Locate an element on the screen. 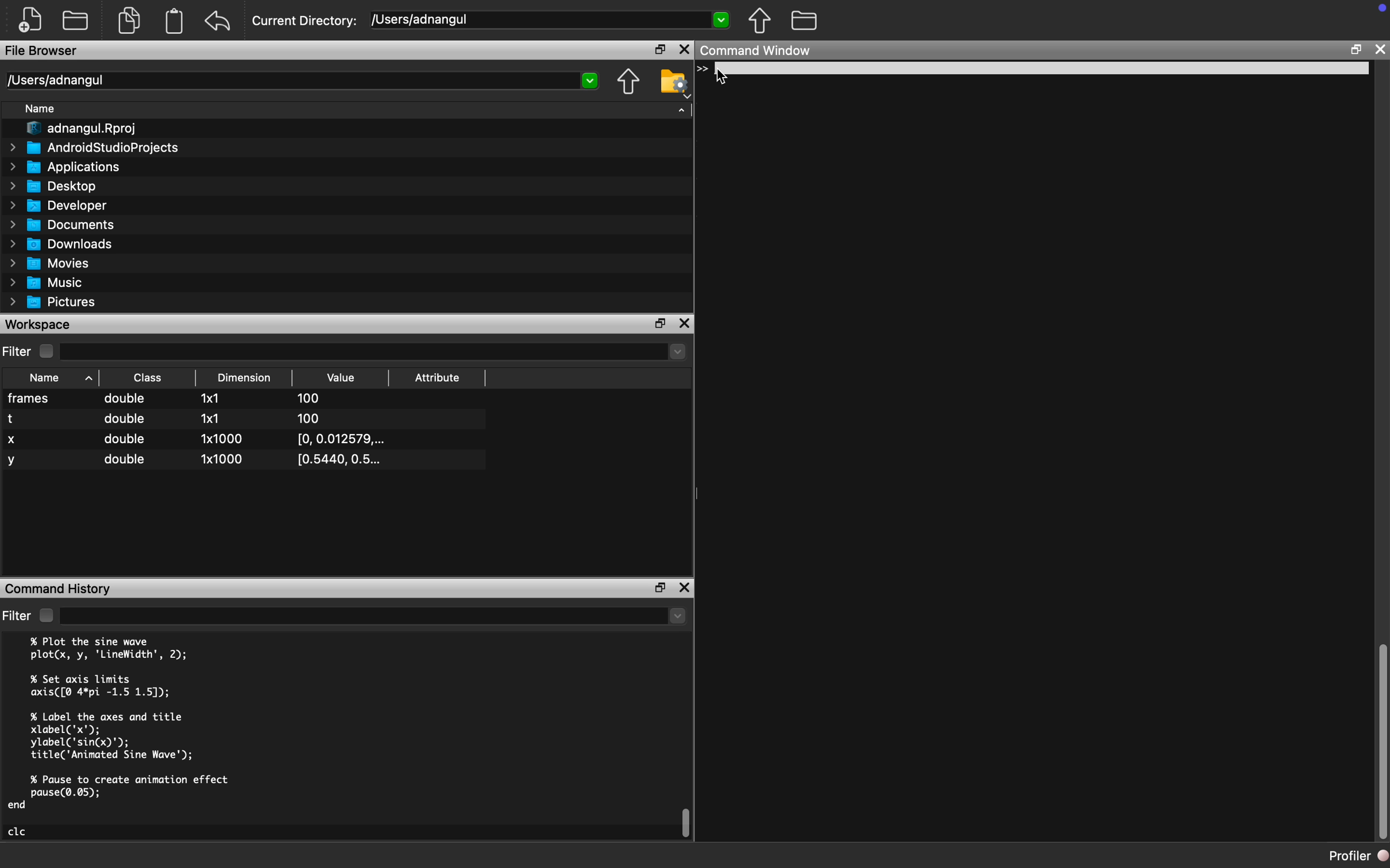  clc is located at coordinates (19, 832).